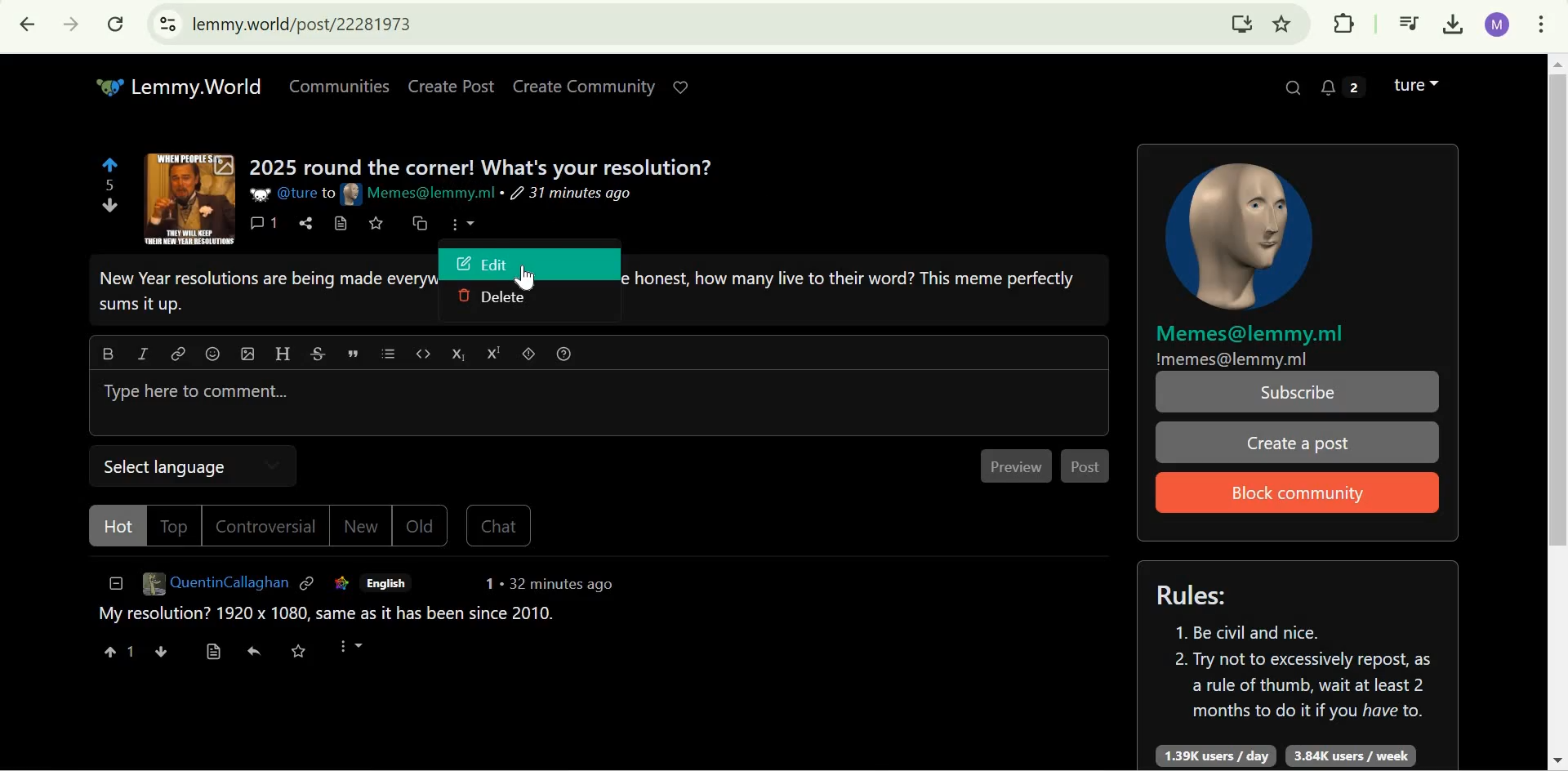 Image resolution: width=1568 pixels, height=771 pixels. Describe the element at coordinates (265, 225) in the screenshot. I see `1 comments` at that location.